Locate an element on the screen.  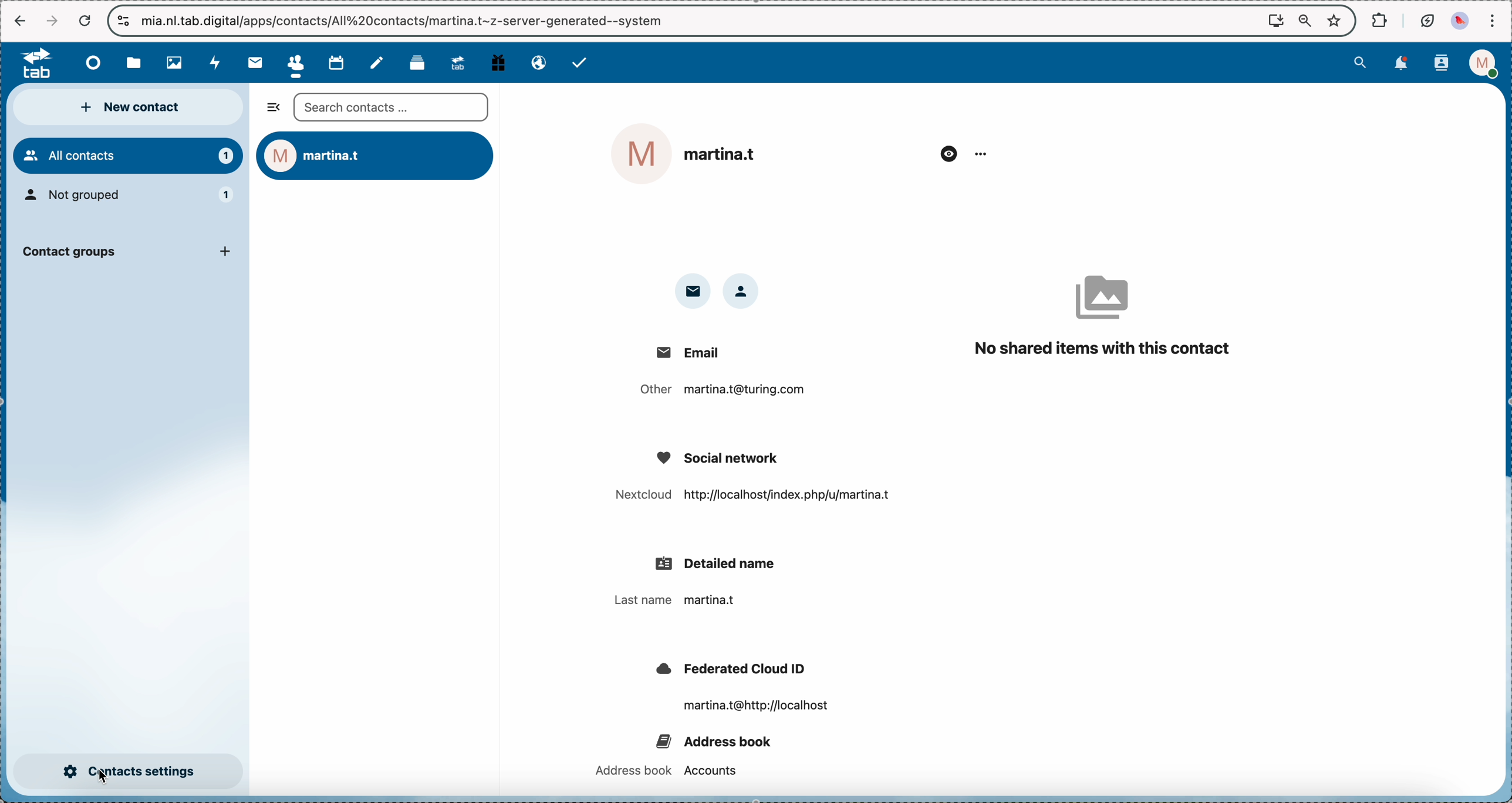
navigate back is located at coordinates (18, 19).